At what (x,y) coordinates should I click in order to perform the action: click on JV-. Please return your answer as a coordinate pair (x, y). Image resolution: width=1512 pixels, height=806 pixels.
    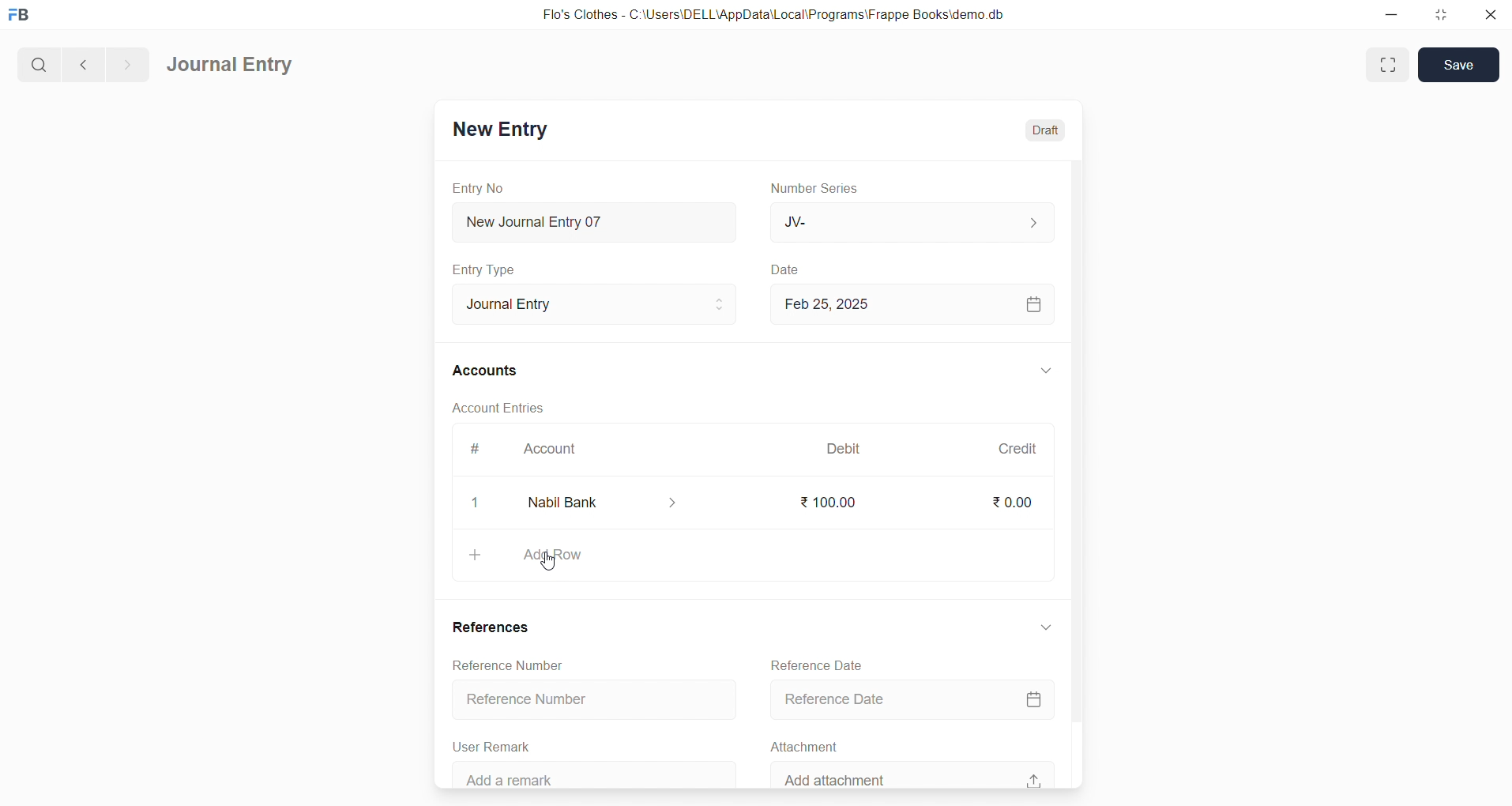
    Looking at the image, I should click on (910, 223).